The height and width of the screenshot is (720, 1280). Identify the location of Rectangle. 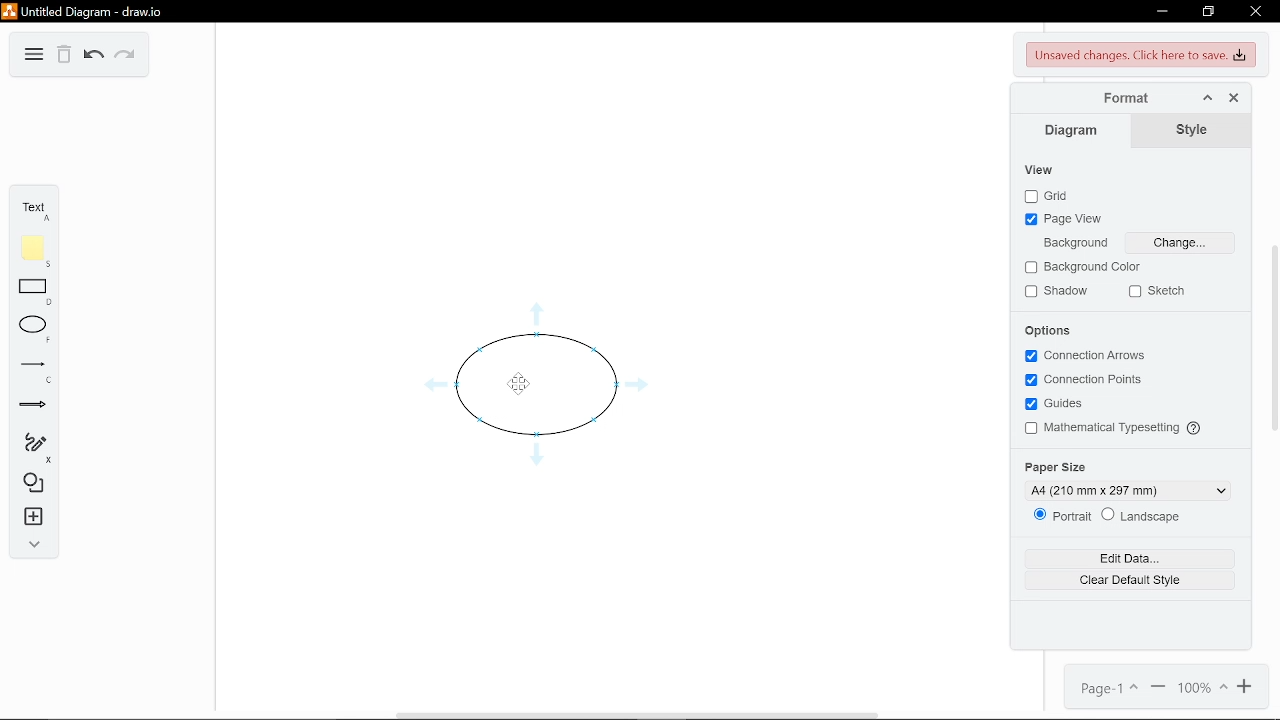
(34, 288).